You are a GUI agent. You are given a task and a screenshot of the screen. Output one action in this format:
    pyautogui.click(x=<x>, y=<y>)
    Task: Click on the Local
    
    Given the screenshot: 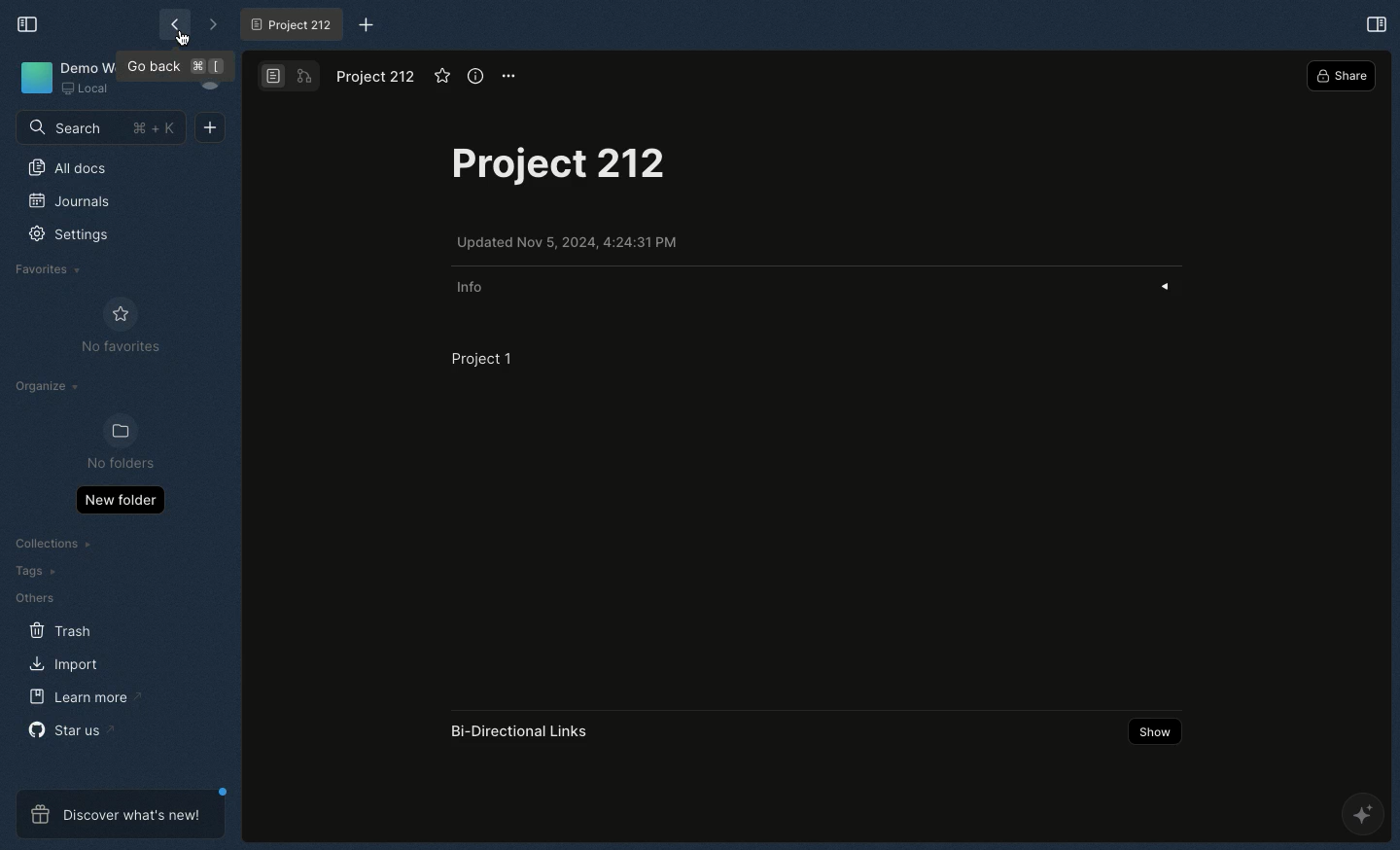 What is the action you would take?
    pyautogui.click(x=88, y=89)
    